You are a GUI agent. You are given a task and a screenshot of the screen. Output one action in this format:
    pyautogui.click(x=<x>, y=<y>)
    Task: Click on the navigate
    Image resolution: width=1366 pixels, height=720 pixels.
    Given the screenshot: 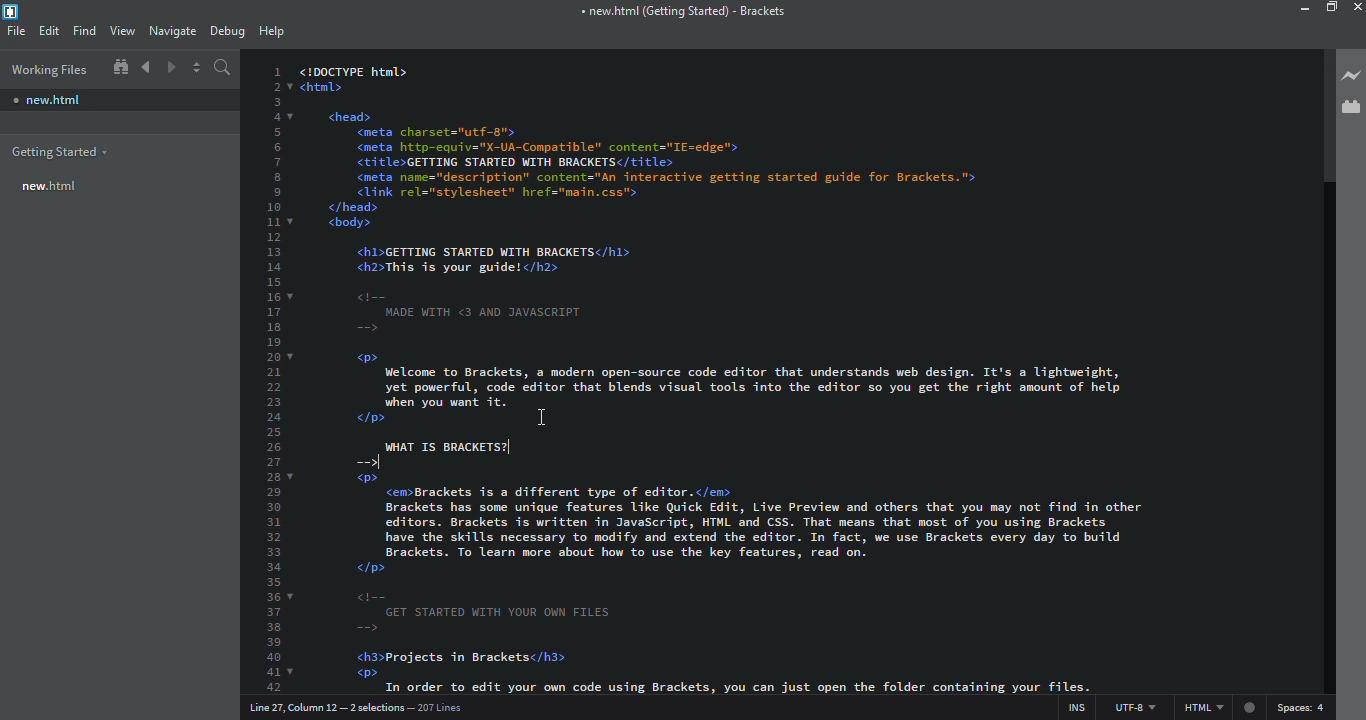 What is the action you would take?
    pyautogui.click(x=173, y=31)
    